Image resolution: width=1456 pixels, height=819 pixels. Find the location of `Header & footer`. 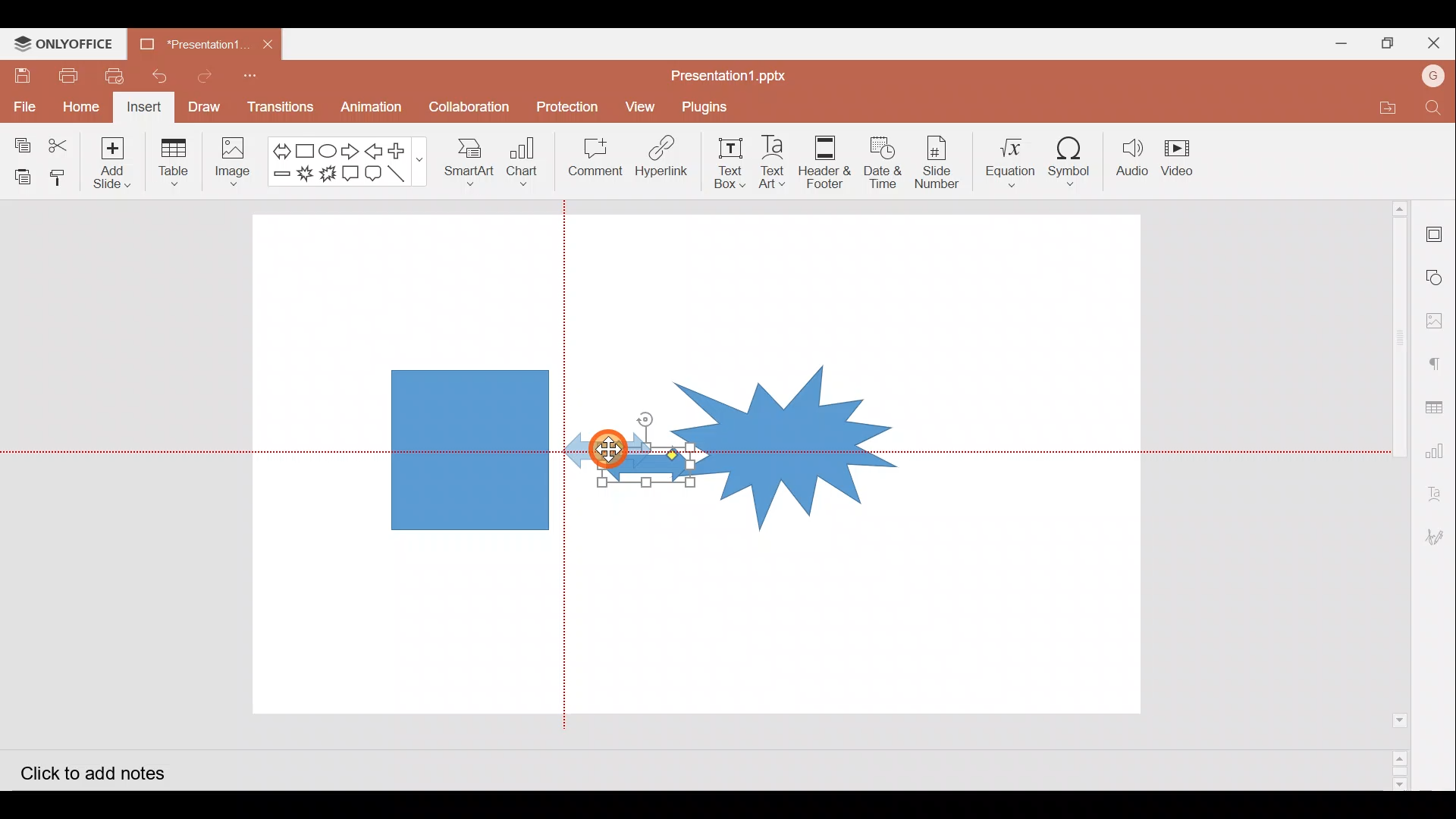

Header & footer is located at coordinates (828, 162).